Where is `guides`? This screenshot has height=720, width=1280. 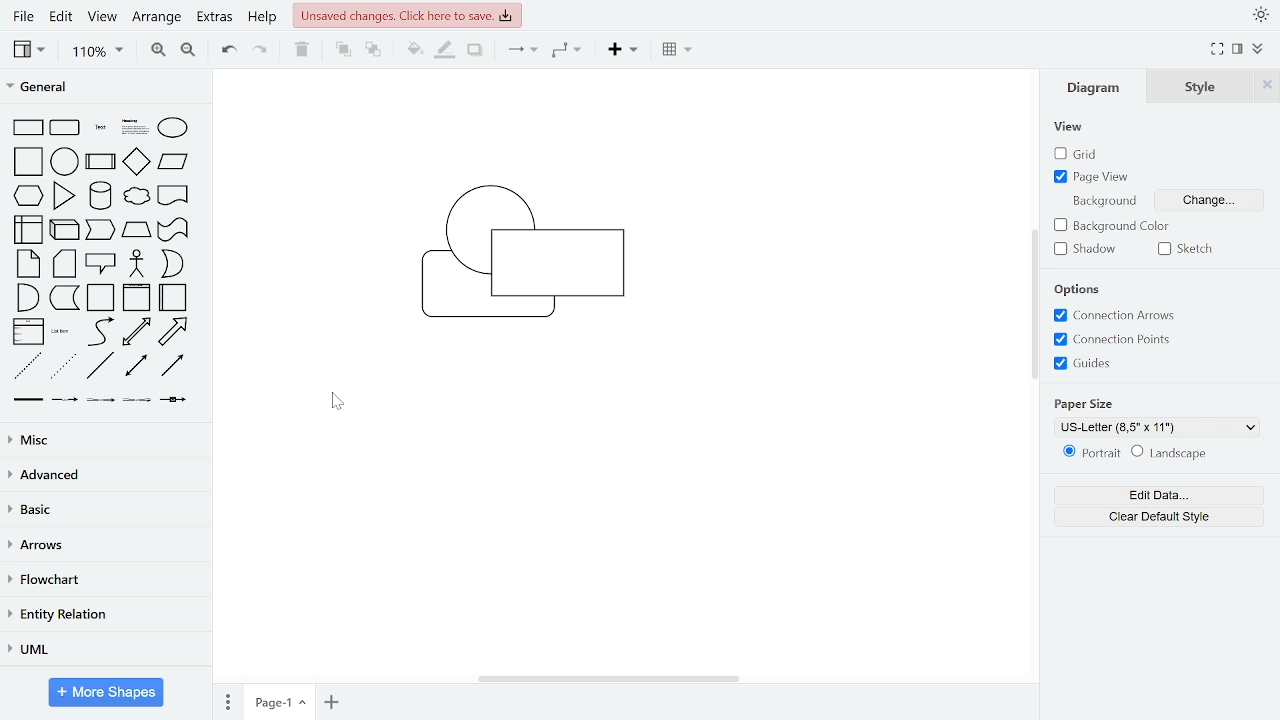
guides is located at coordinates (1088, 366).